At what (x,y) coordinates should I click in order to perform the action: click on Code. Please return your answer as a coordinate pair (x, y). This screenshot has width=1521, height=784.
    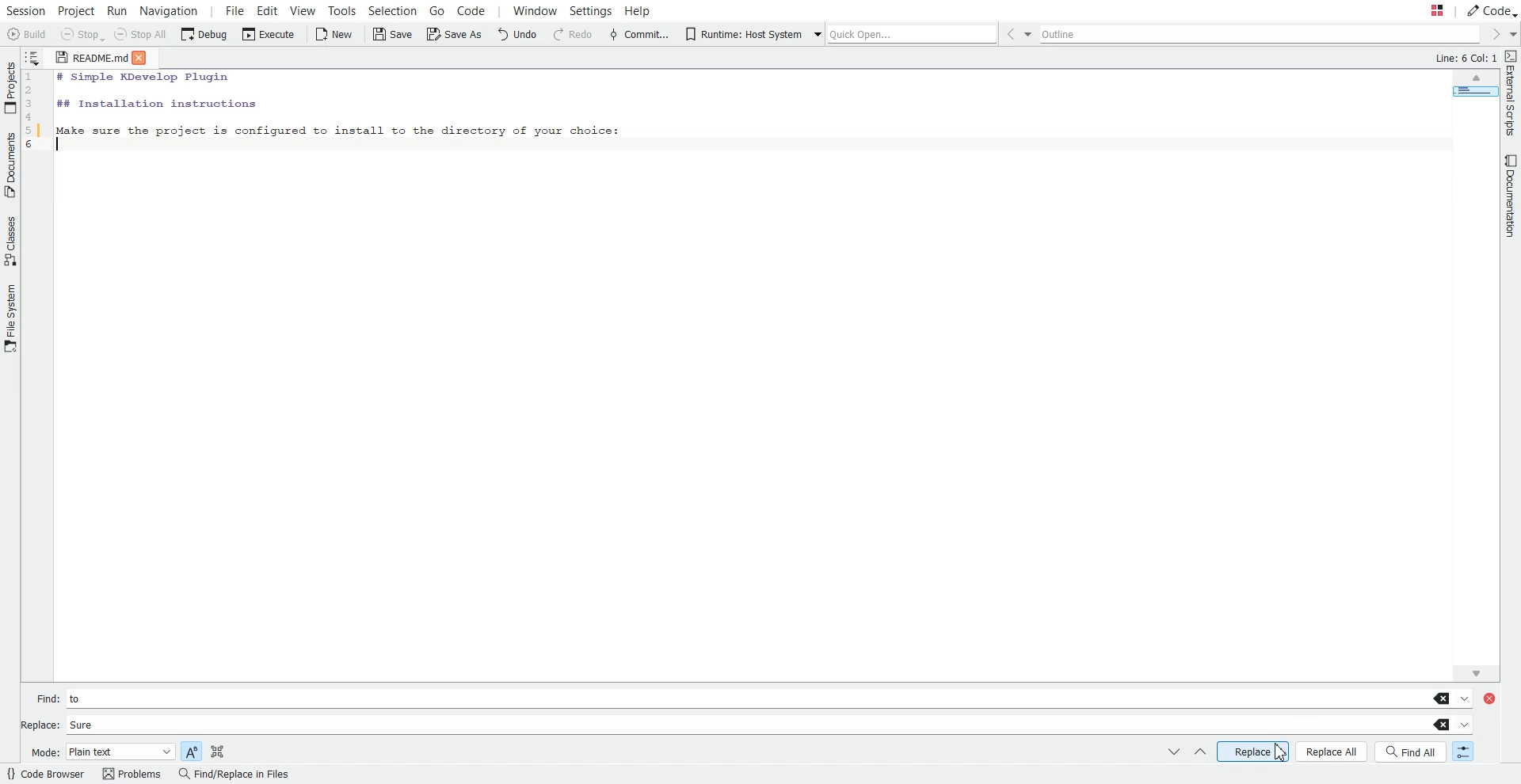
    Looking at the image, I should click on (480, 11).